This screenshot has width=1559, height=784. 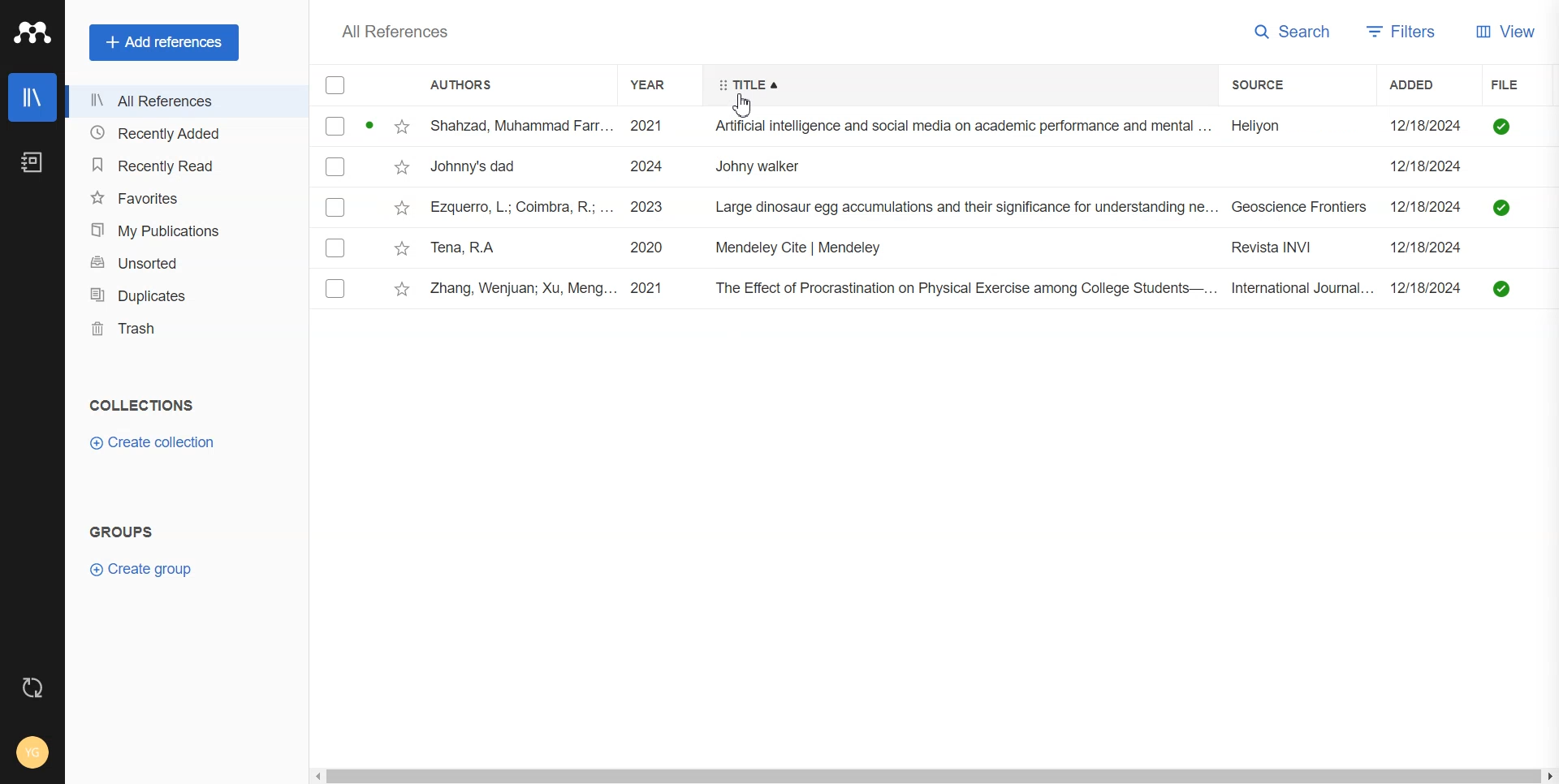 What do you see at coordinates (141, 406) in the screenshot?
I see `COLLECTIONS` at bounding box center [141, 406].